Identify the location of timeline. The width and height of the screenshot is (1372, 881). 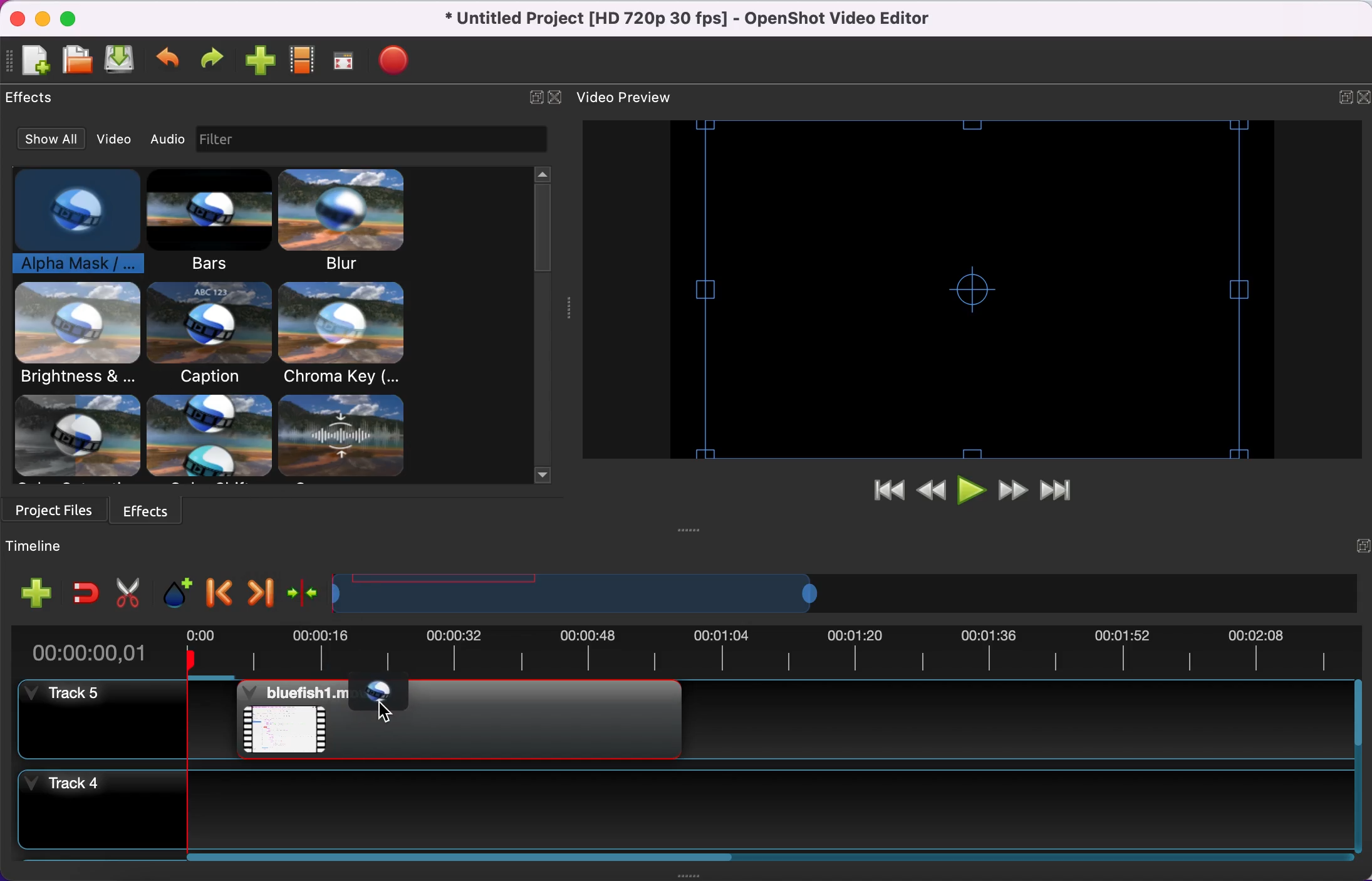
(824, 594).